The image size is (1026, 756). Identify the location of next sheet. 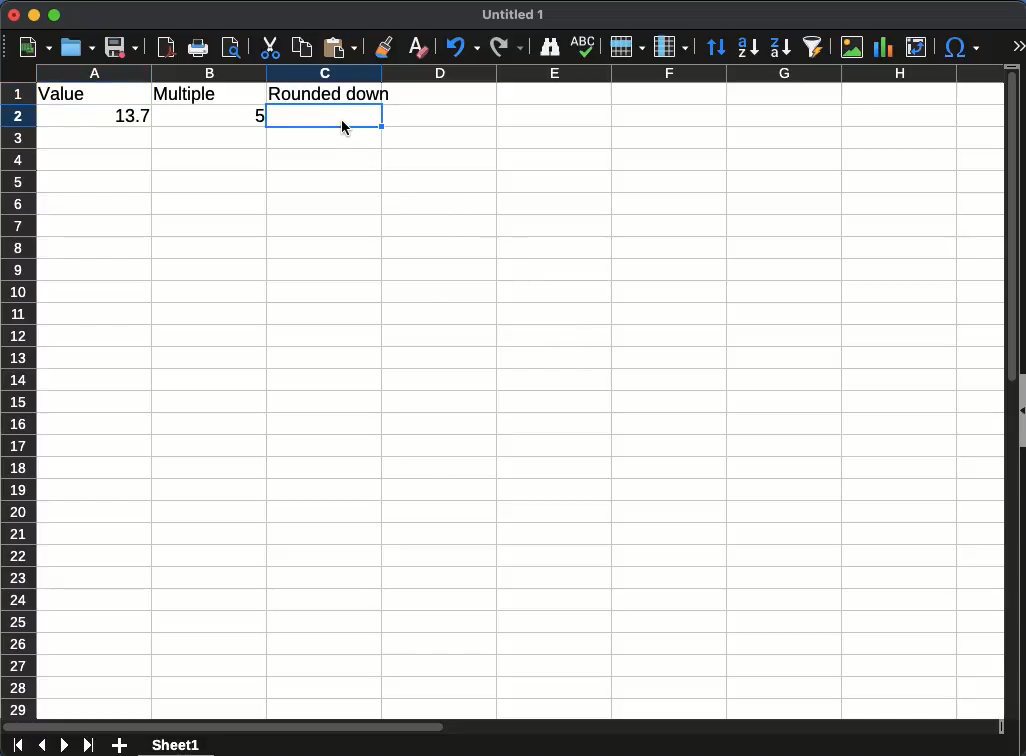
(64, 745).